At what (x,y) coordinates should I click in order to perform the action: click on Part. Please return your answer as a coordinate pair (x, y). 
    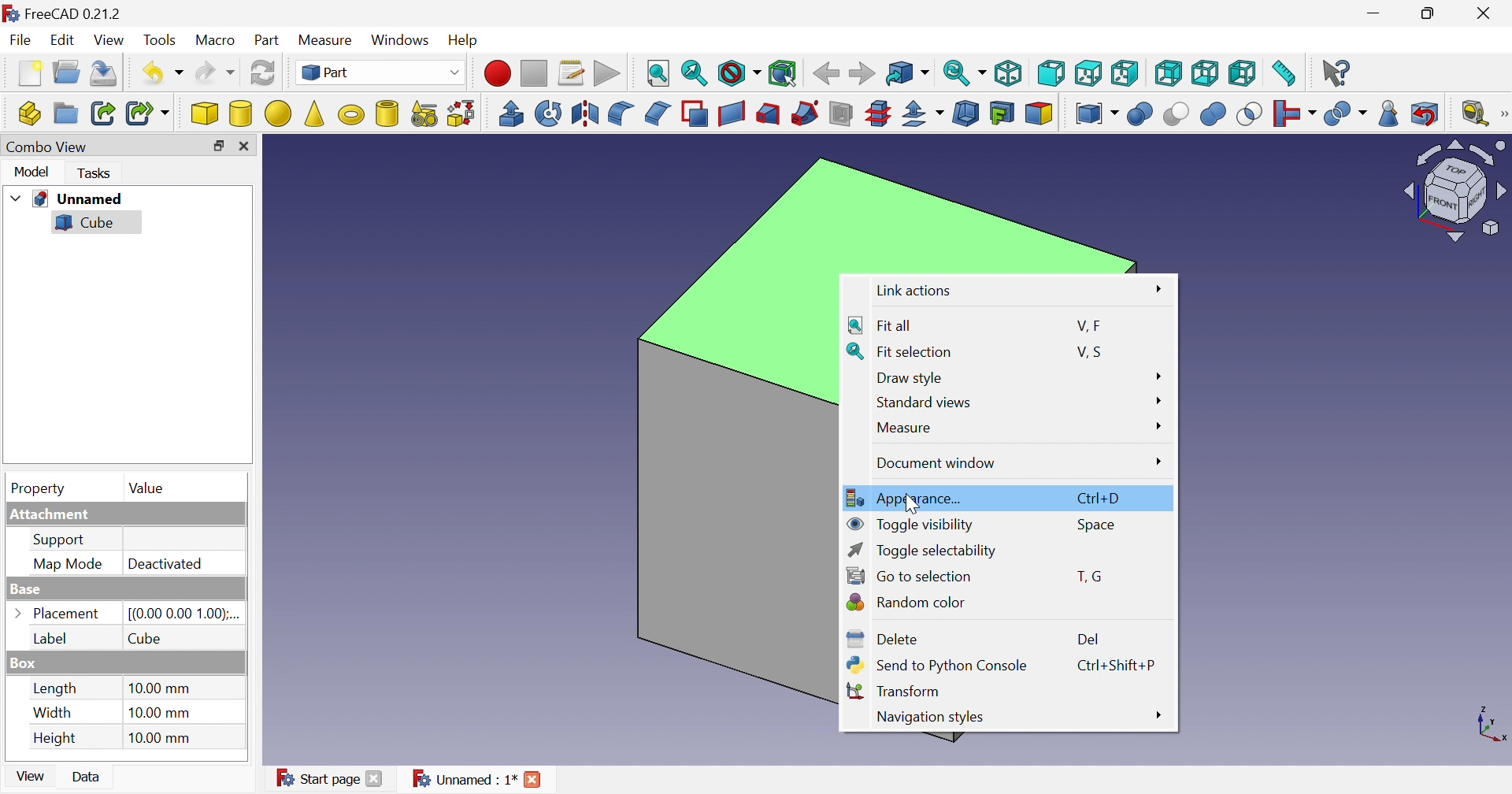
    Looking at the image, I should click on (269, 41).